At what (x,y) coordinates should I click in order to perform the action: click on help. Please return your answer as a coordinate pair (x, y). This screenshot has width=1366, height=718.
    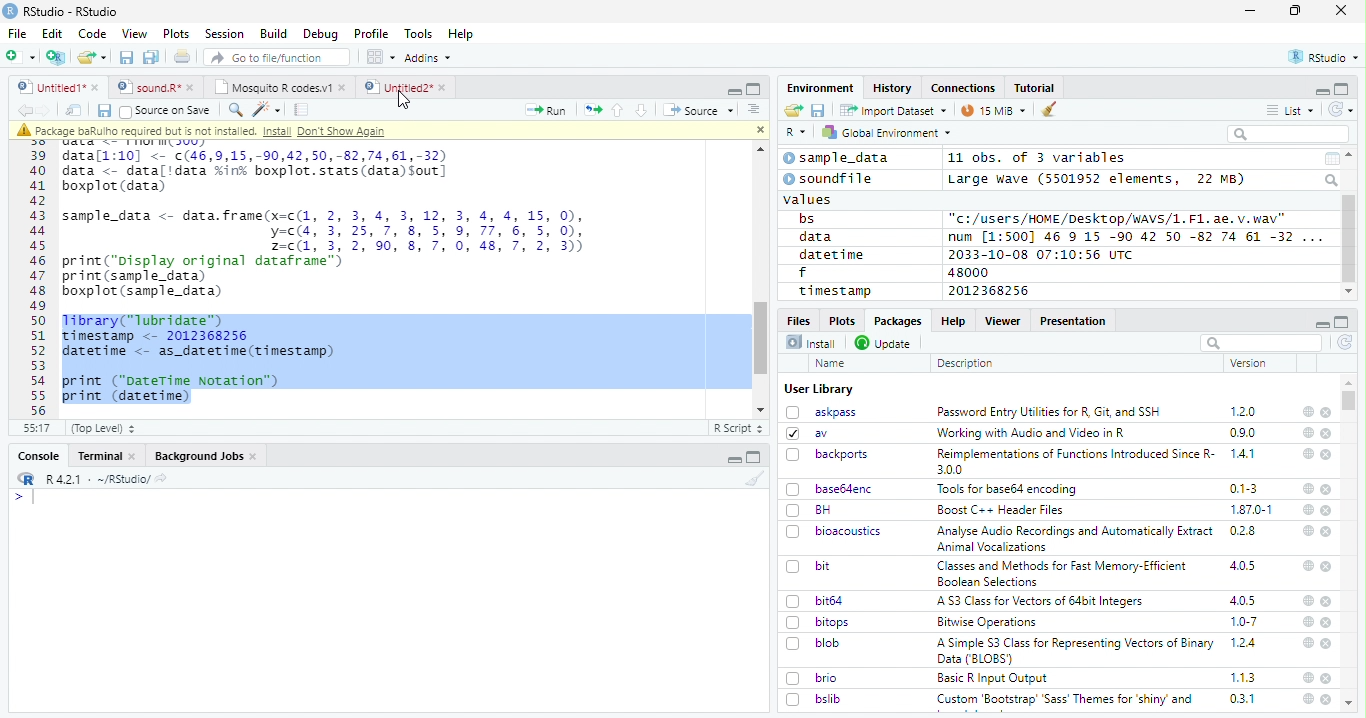
    Looking at the image, I should click on (1307, 565).